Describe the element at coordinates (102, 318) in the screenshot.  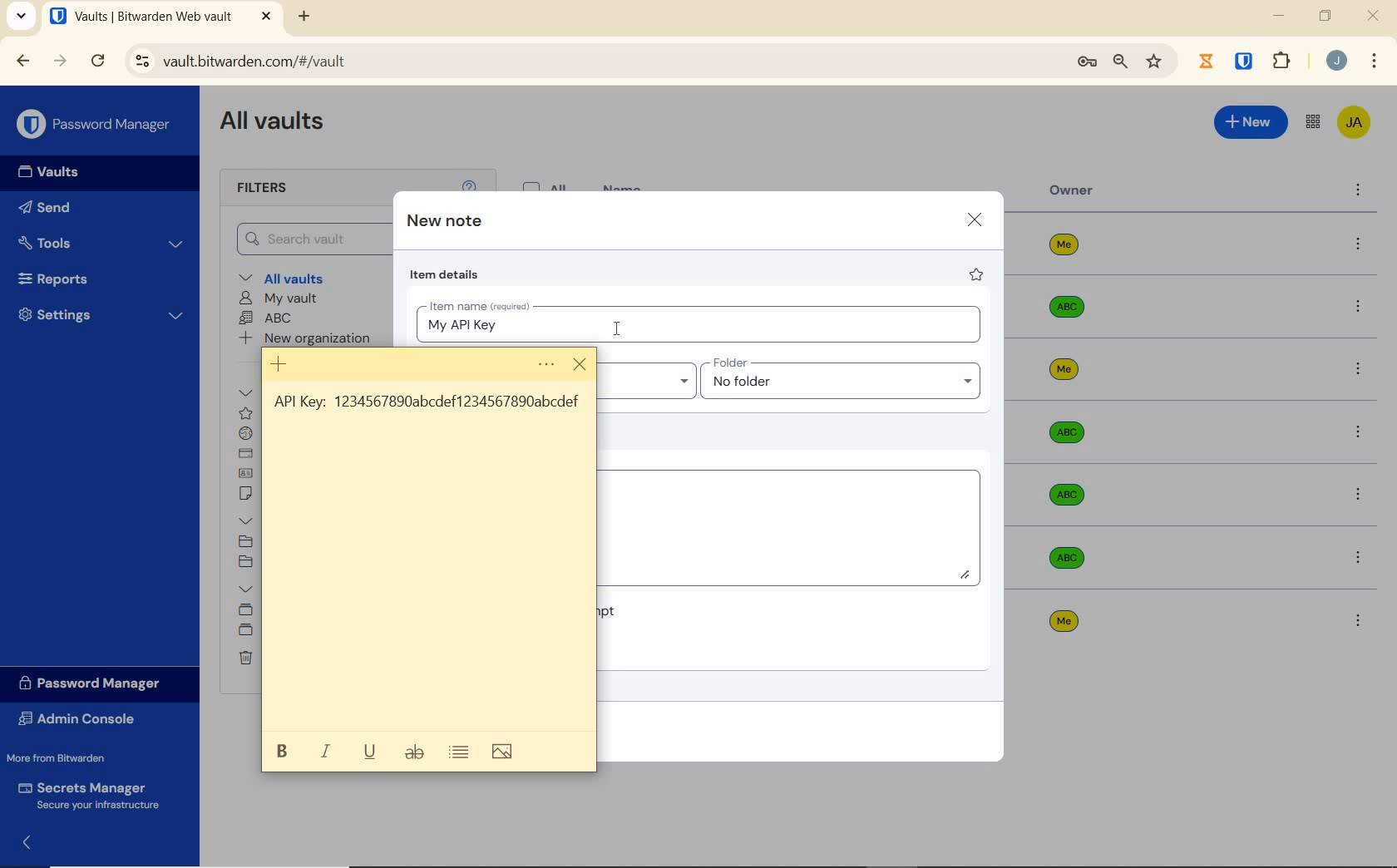
I see `Settings` at that location.